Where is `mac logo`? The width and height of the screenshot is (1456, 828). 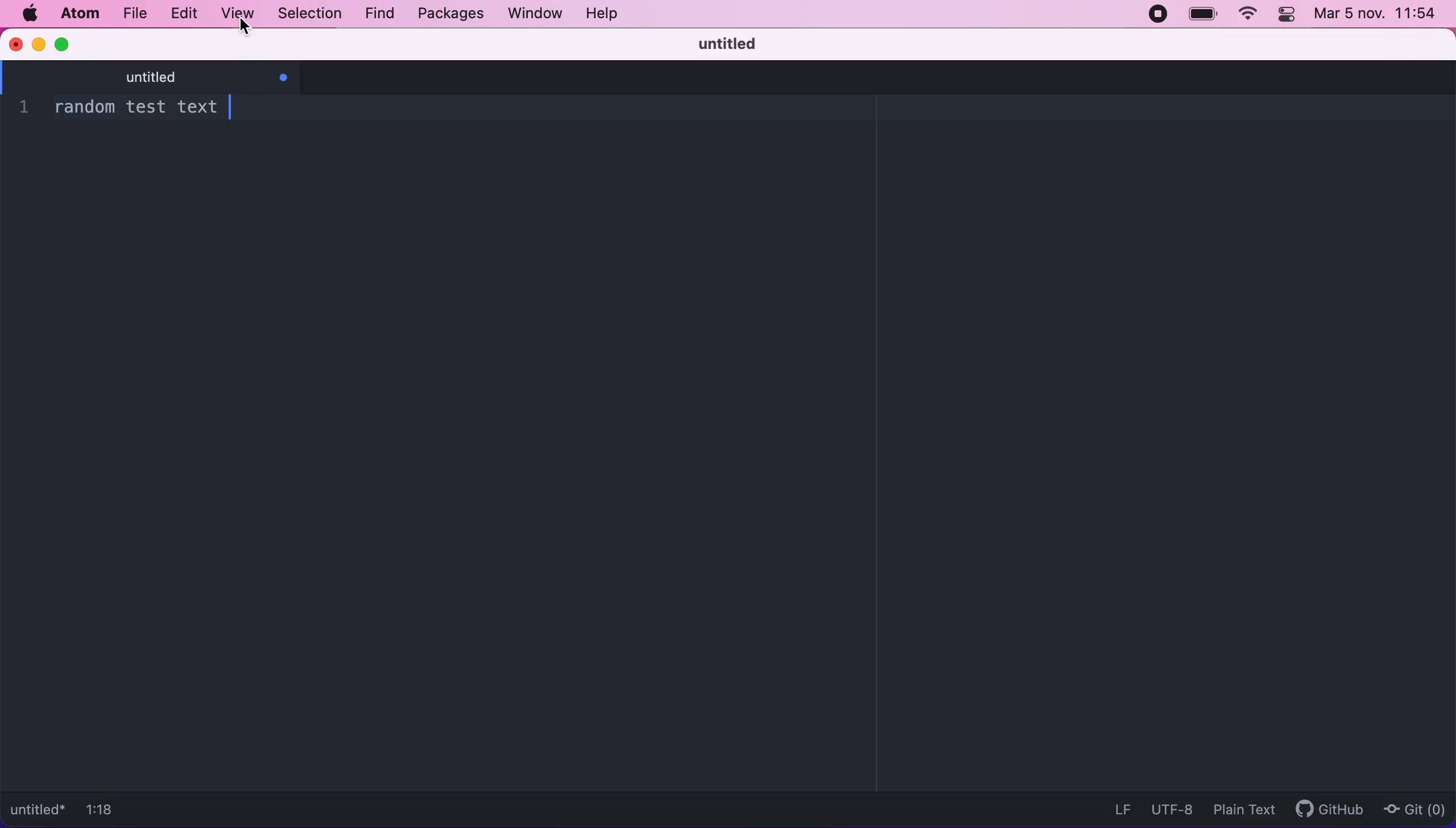
mac logo is located at coordinates (29, 14).